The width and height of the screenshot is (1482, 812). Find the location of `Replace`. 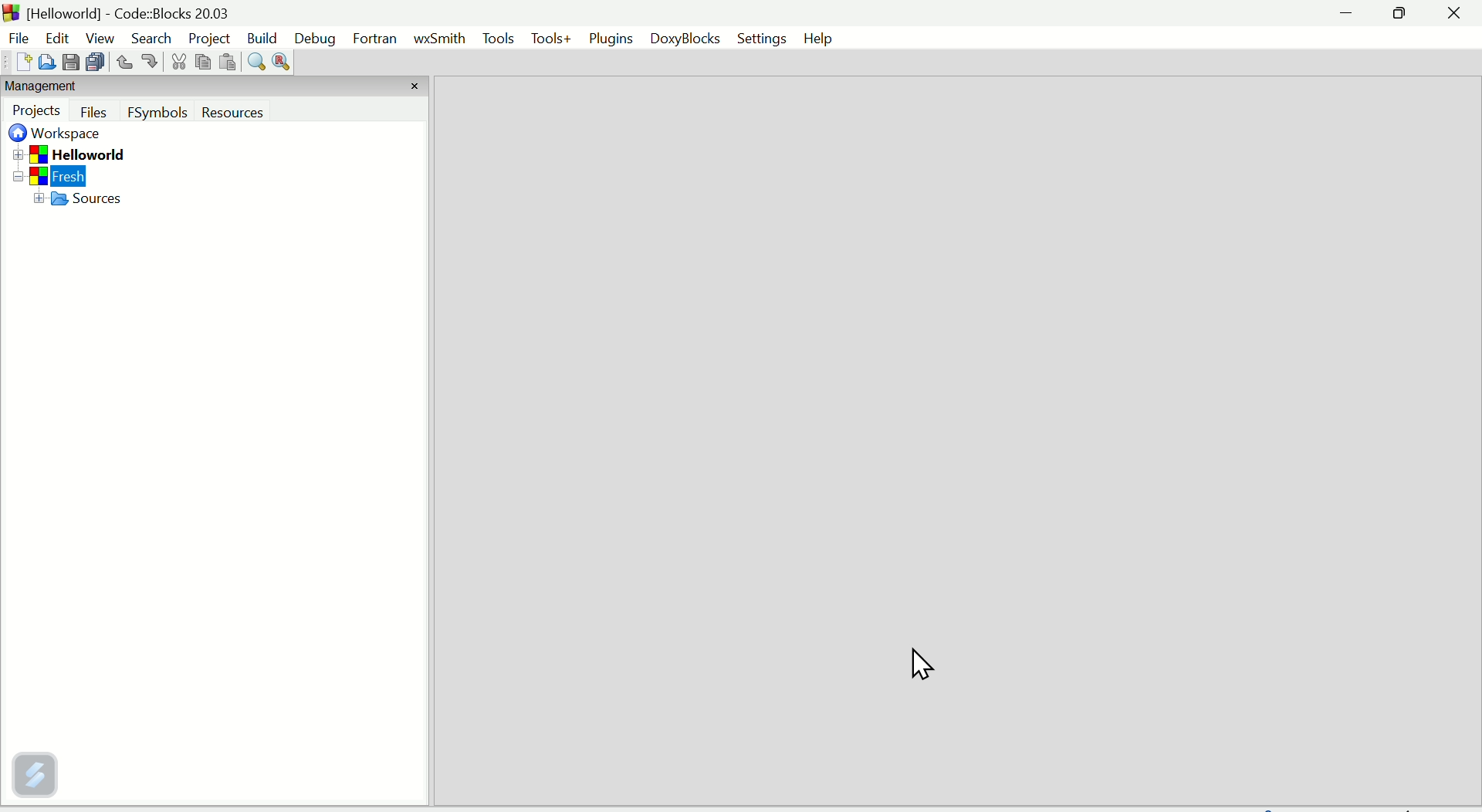

Replace is located at coordinates (281, 62).